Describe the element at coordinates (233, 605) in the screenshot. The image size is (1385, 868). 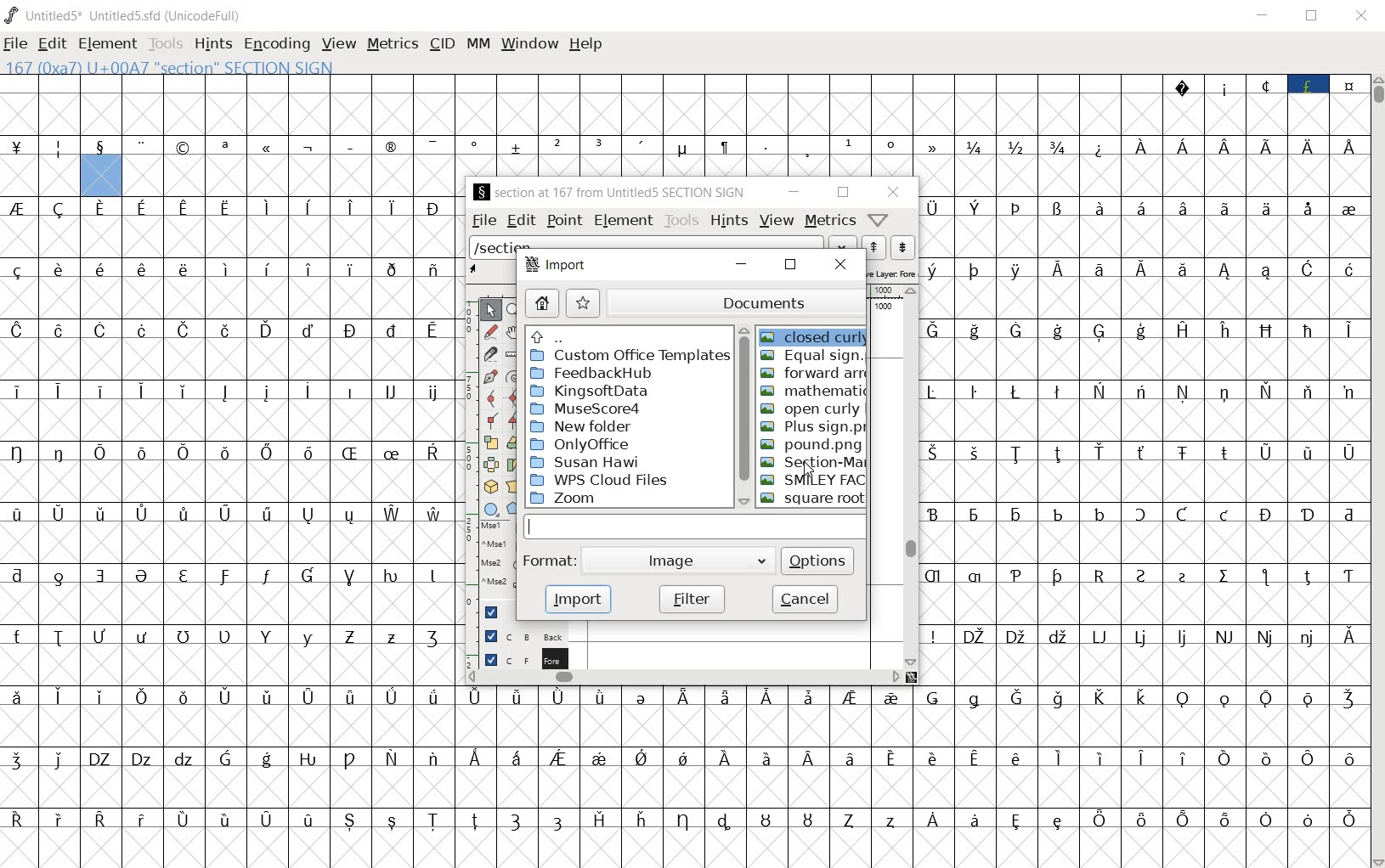
I see `empty cells` at that location.